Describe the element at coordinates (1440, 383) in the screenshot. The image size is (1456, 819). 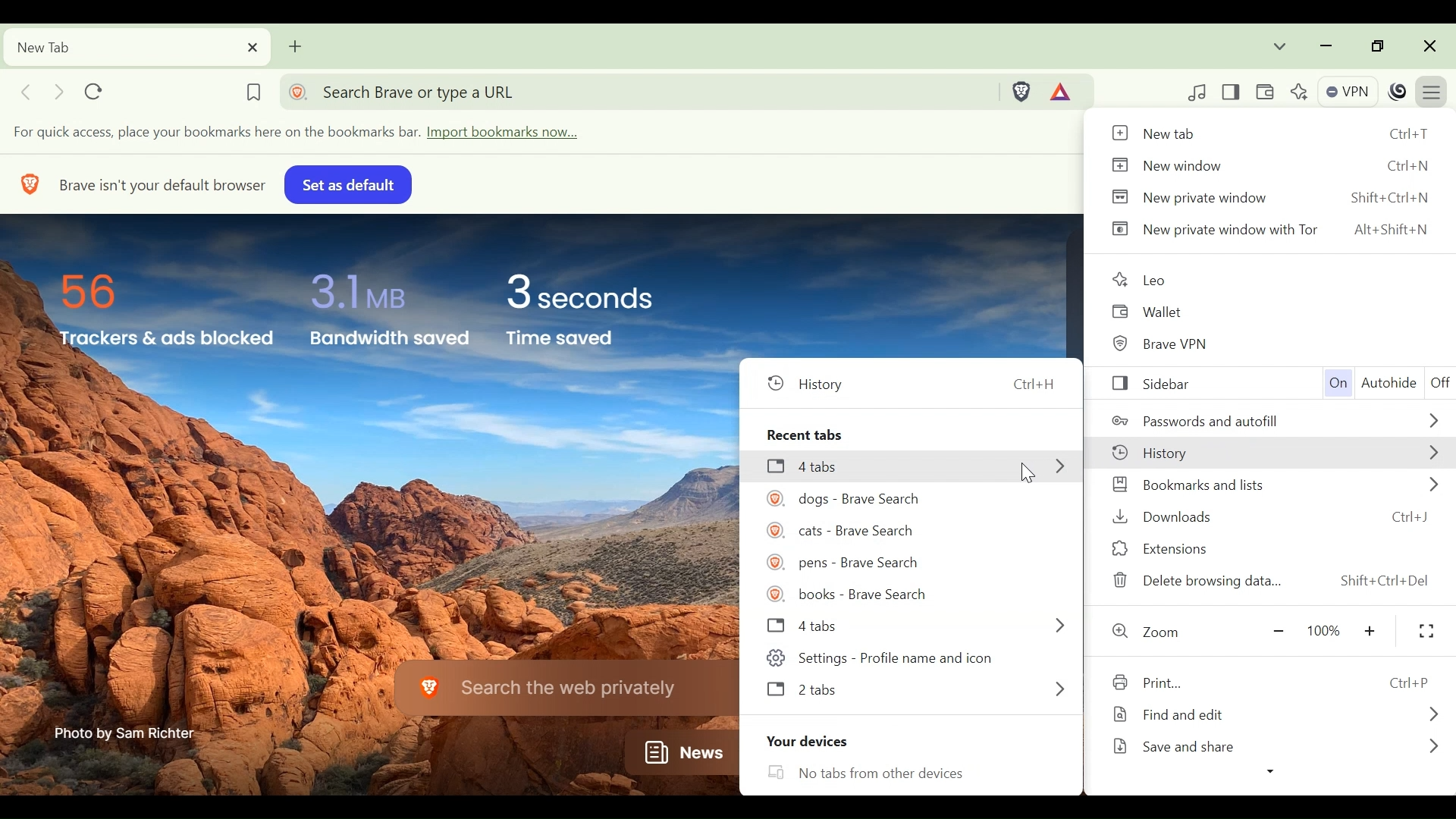
I see `Off` at that location.